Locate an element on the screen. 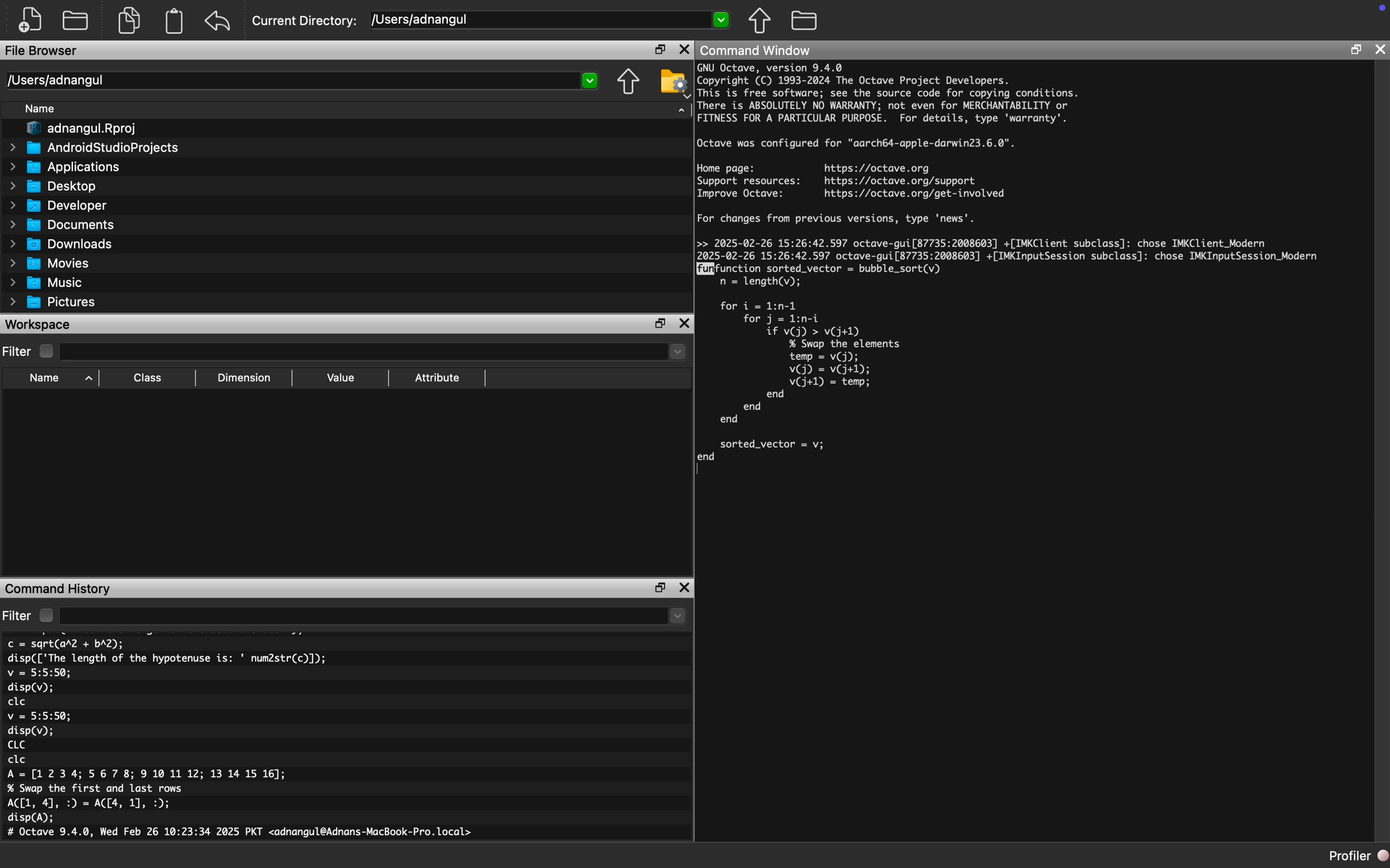 Image resolution: width=1390 pixels, height=868 pixels. % Swap the first and last row: is located at coordinates (96, 789).